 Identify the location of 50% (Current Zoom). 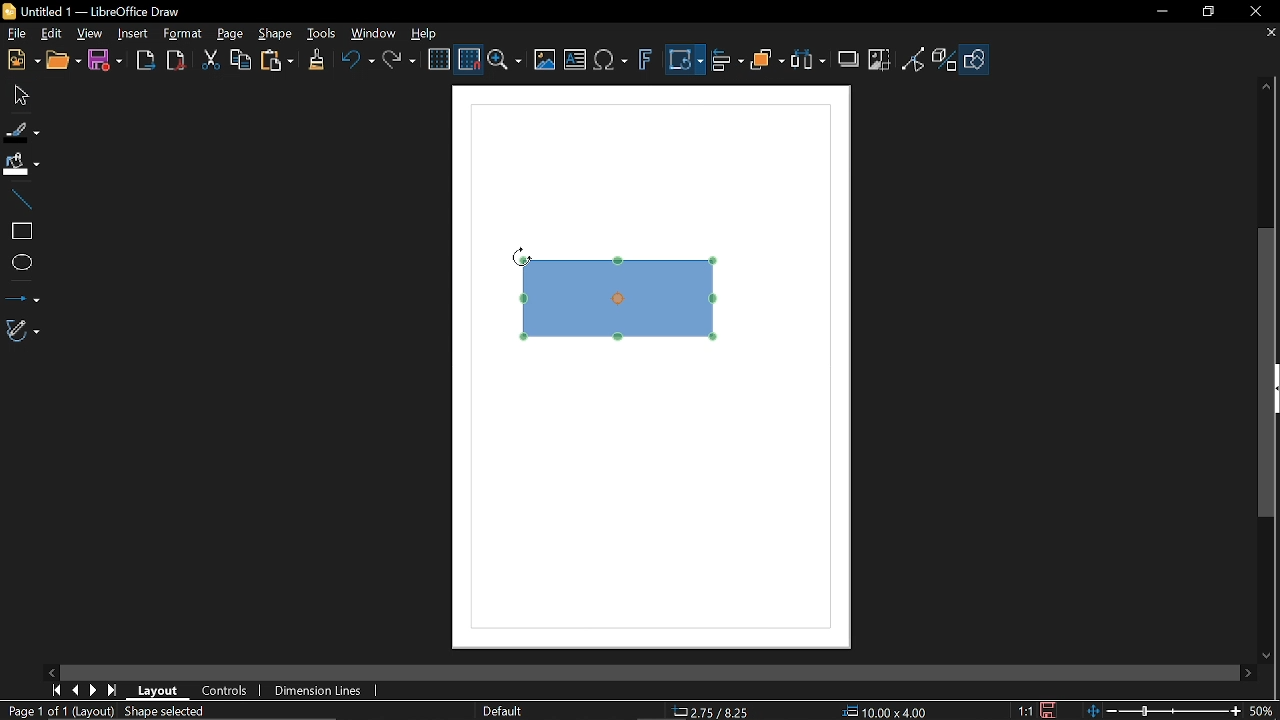
(1265, 709).